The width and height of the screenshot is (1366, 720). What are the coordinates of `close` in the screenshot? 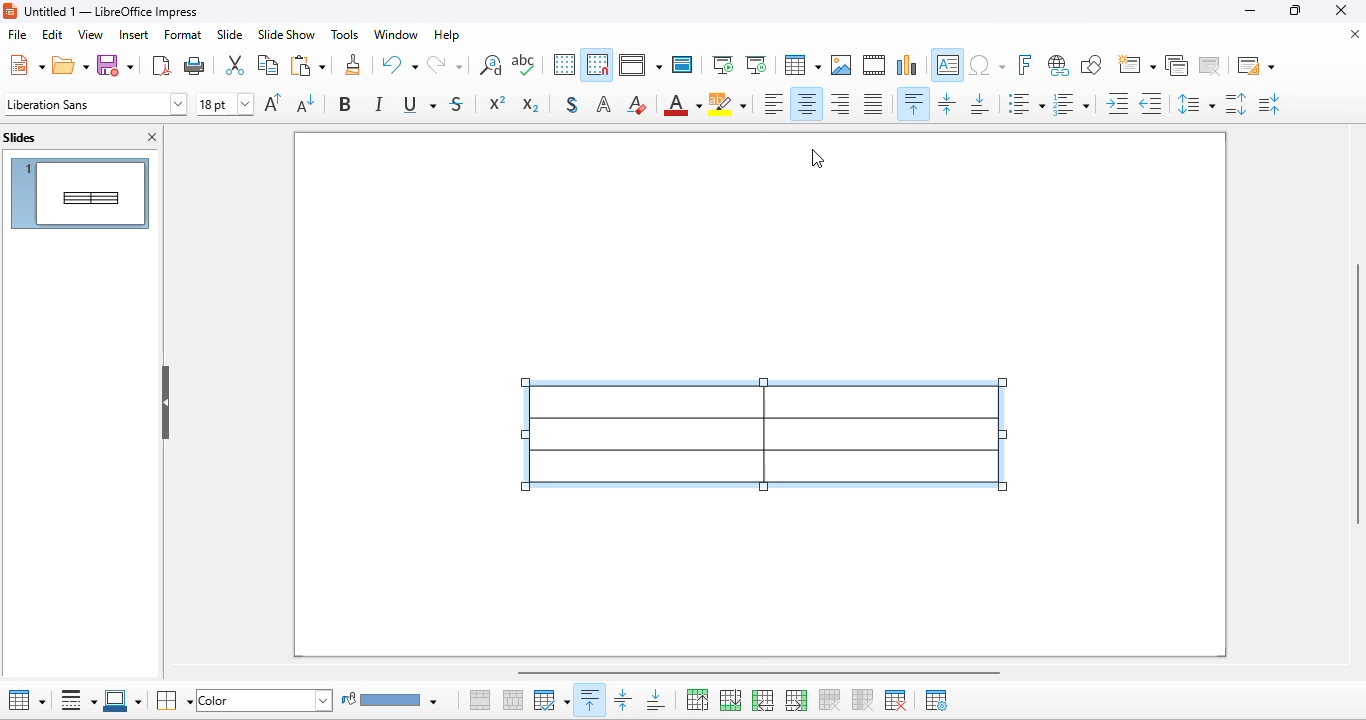 It's located at (1340, 9).